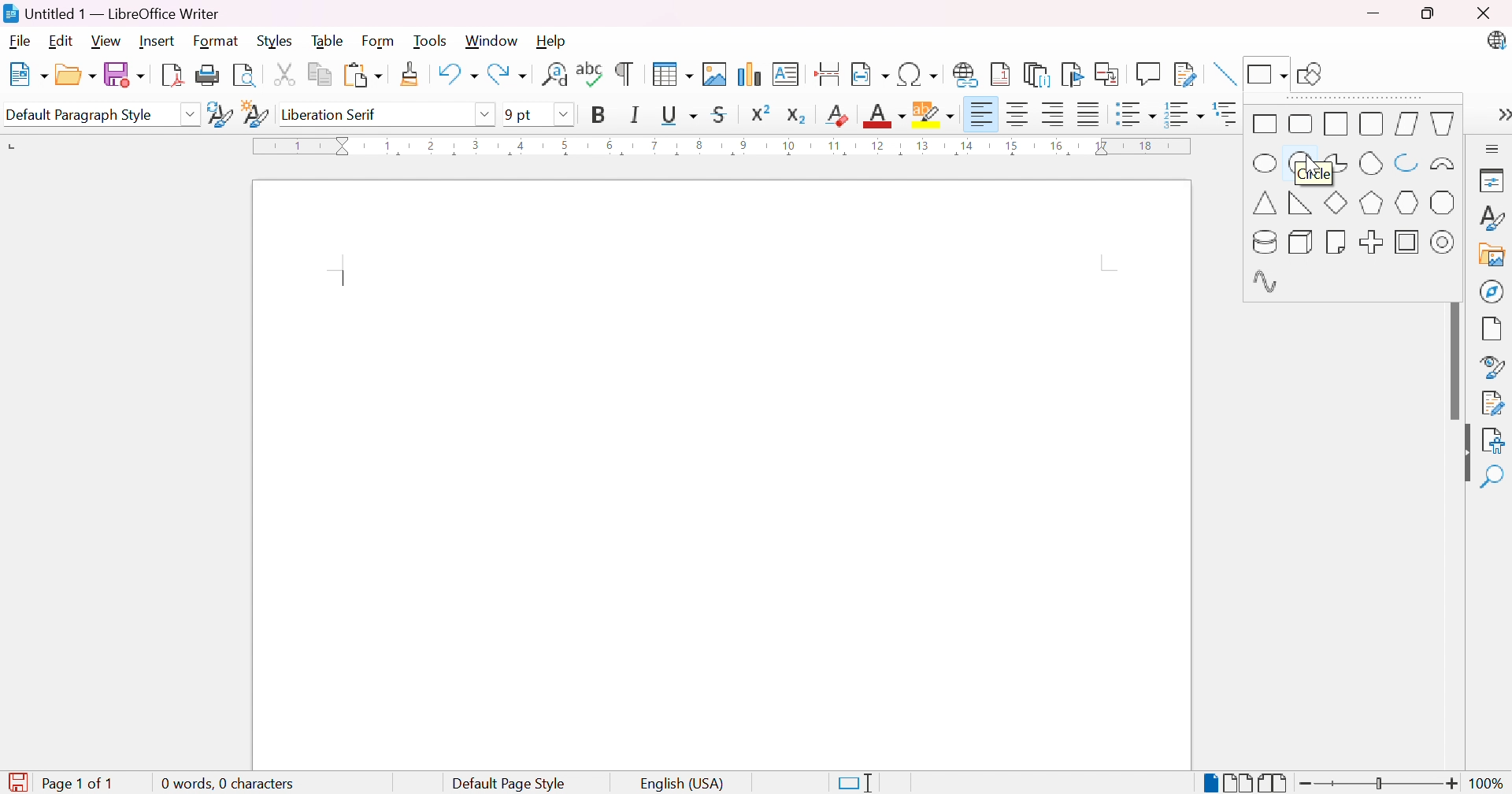 The height and width of the screenshot is (794, 1512). What do you see at coordinates (517, 114) in the screenshot?
I see `Font size` at bounding box center [517, 114].